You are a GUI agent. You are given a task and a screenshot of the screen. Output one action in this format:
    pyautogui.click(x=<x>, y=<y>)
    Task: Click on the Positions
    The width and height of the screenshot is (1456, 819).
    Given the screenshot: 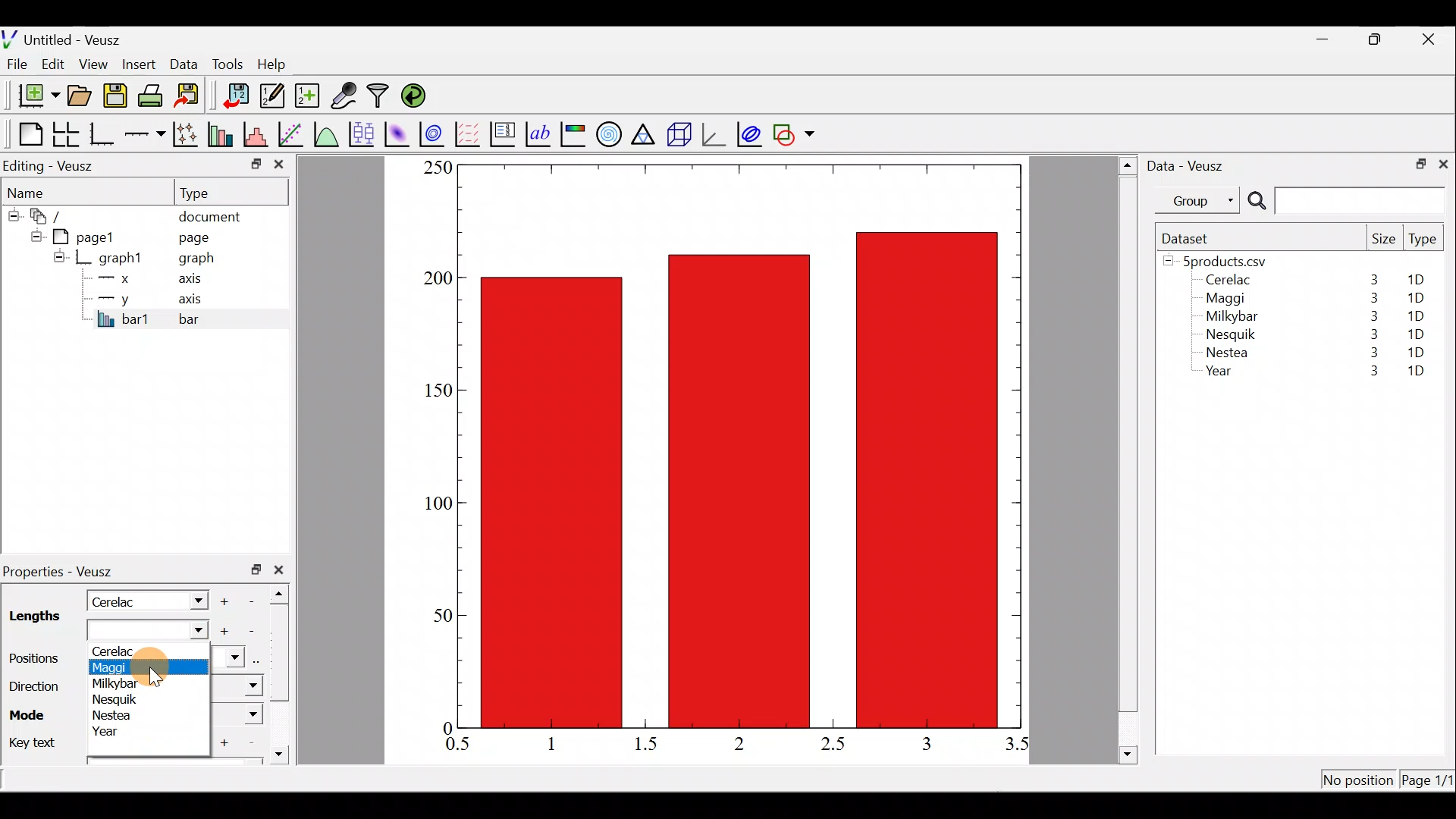 What is the action you would take?
    pyautogui.click(x=37, y=659)
    